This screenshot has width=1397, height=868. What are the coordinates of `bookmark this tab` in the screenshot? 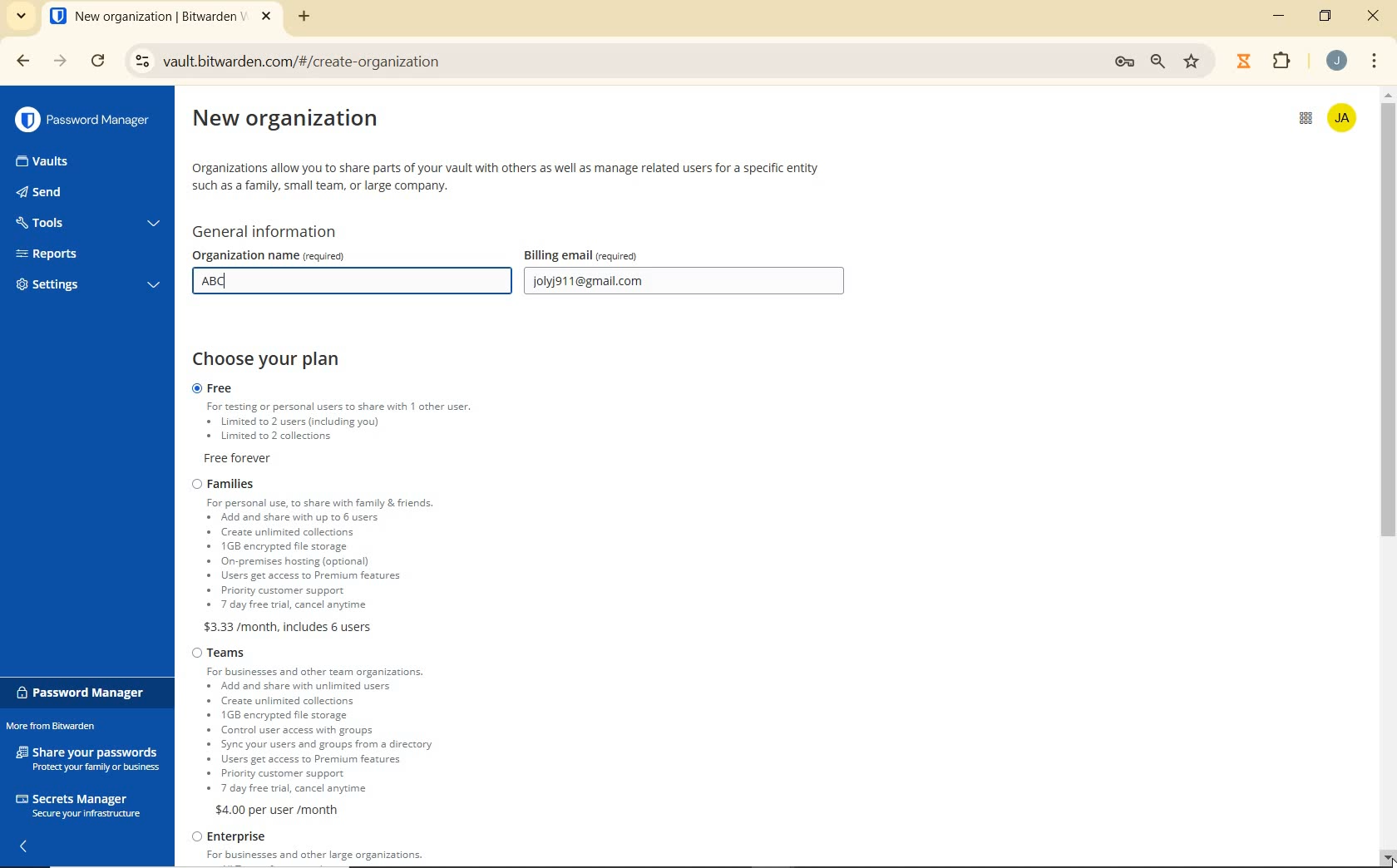 It's located at (1194, 60).